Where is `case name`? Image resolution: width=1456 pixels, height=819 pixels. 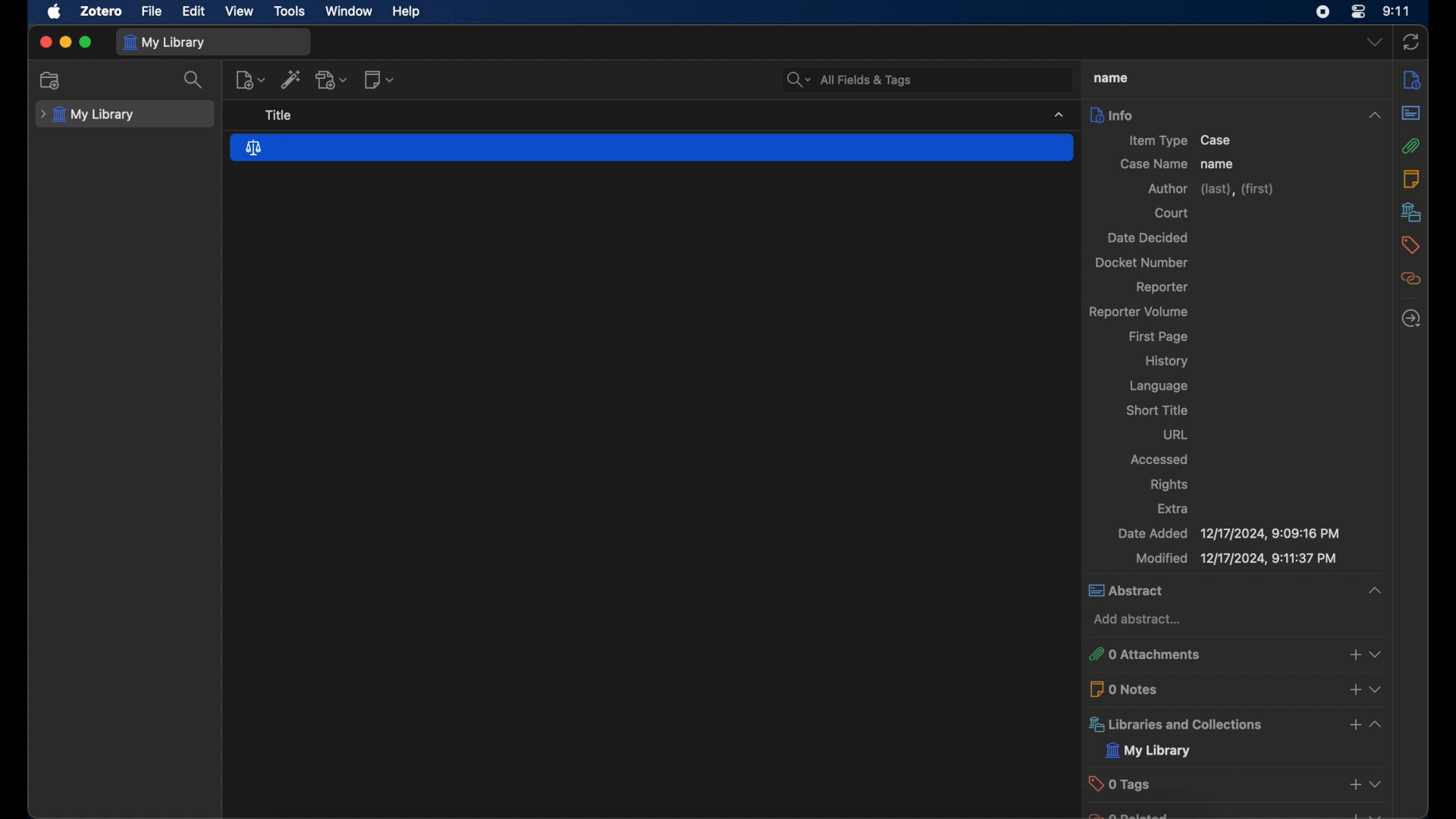
case name is located at coordinates (1152, 164).